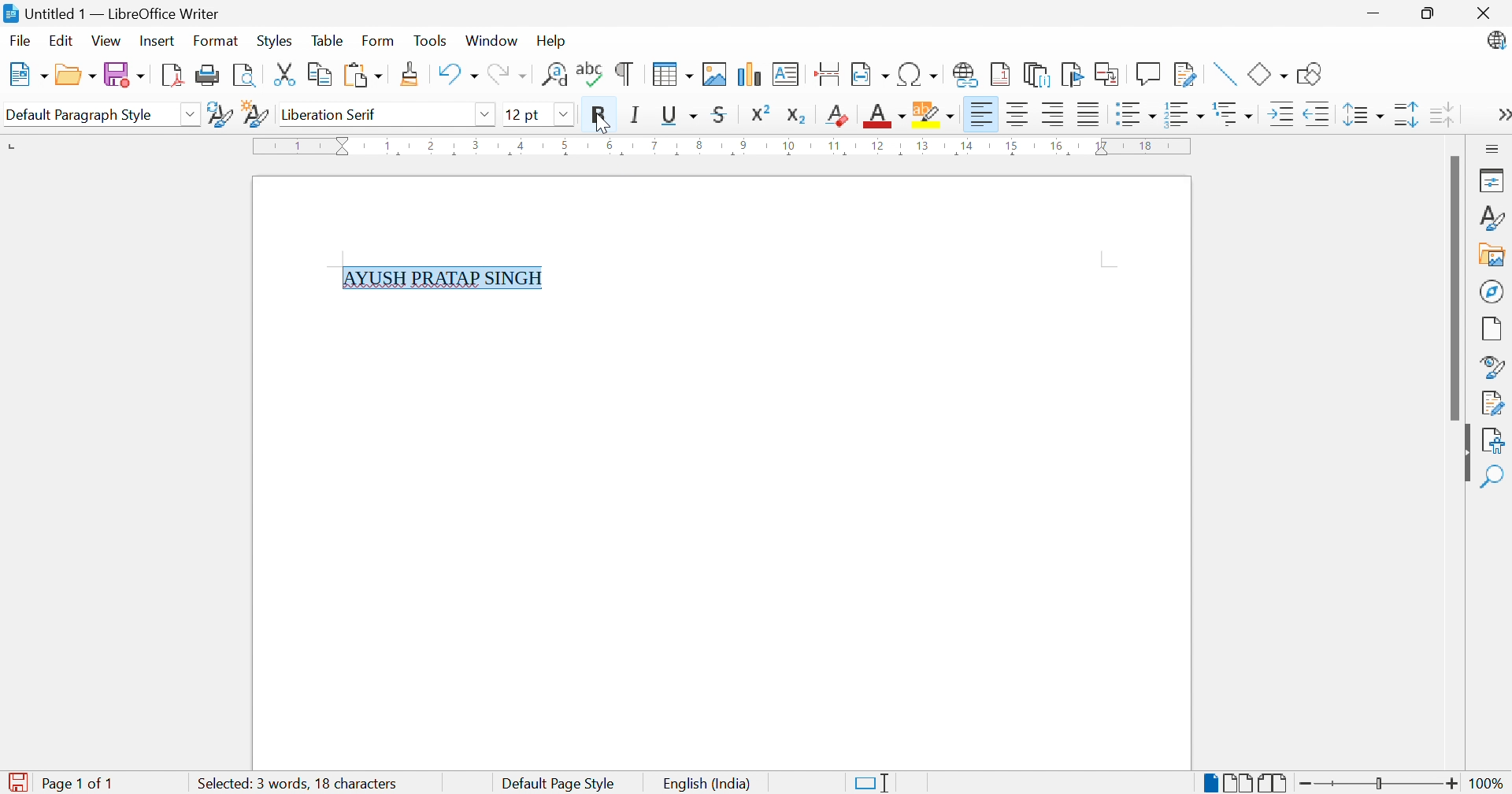 This screenshot has width=1512, height=794. What do you see at coordinates (220, 114) in the screenshot?
I see `Update Selected Style` at bounding box center [220, 114].